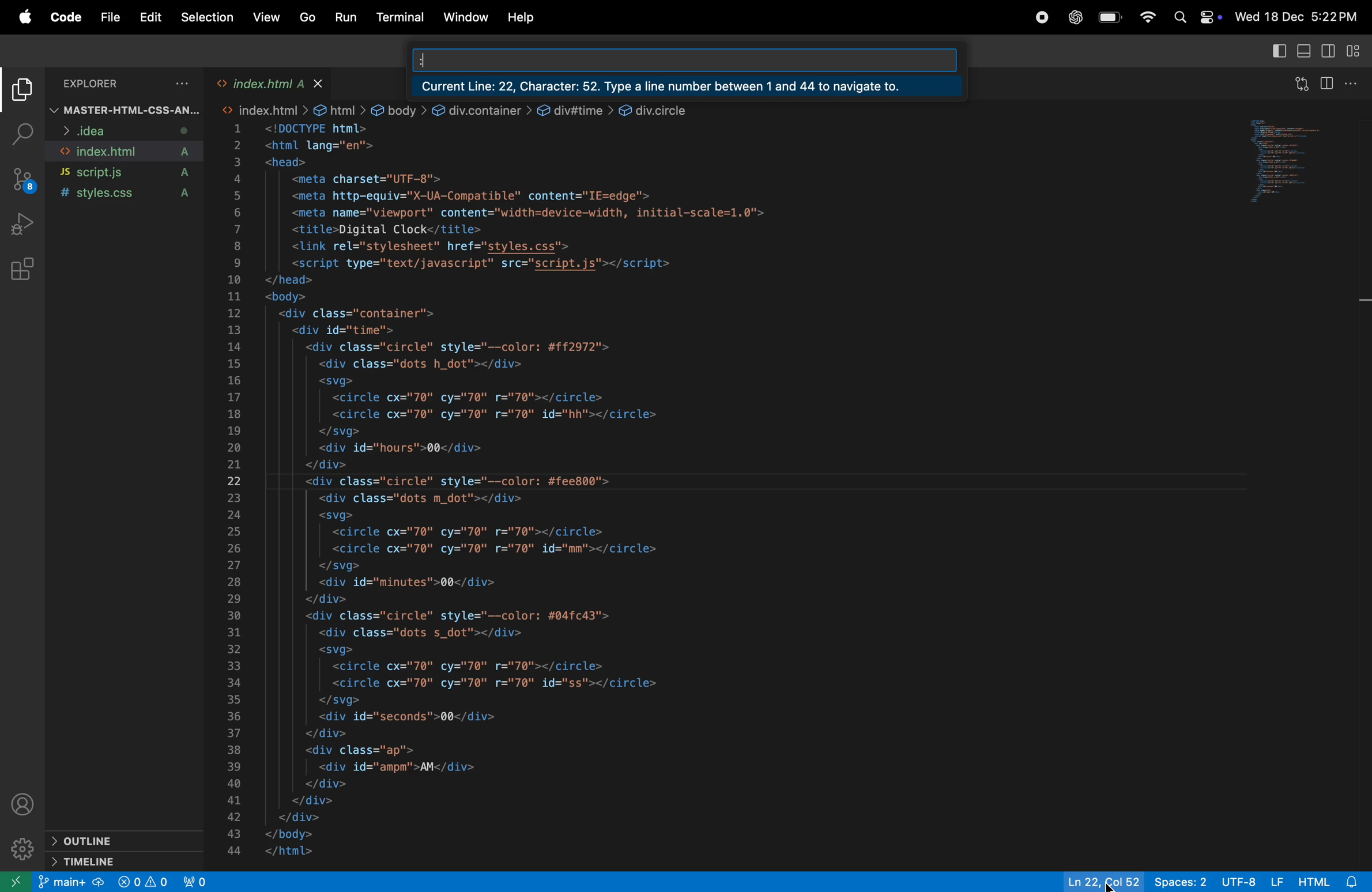  What do you see at coordinates (1145, 19) in the screenshot?
I see `wifi` at bounding box center [1145, 19].